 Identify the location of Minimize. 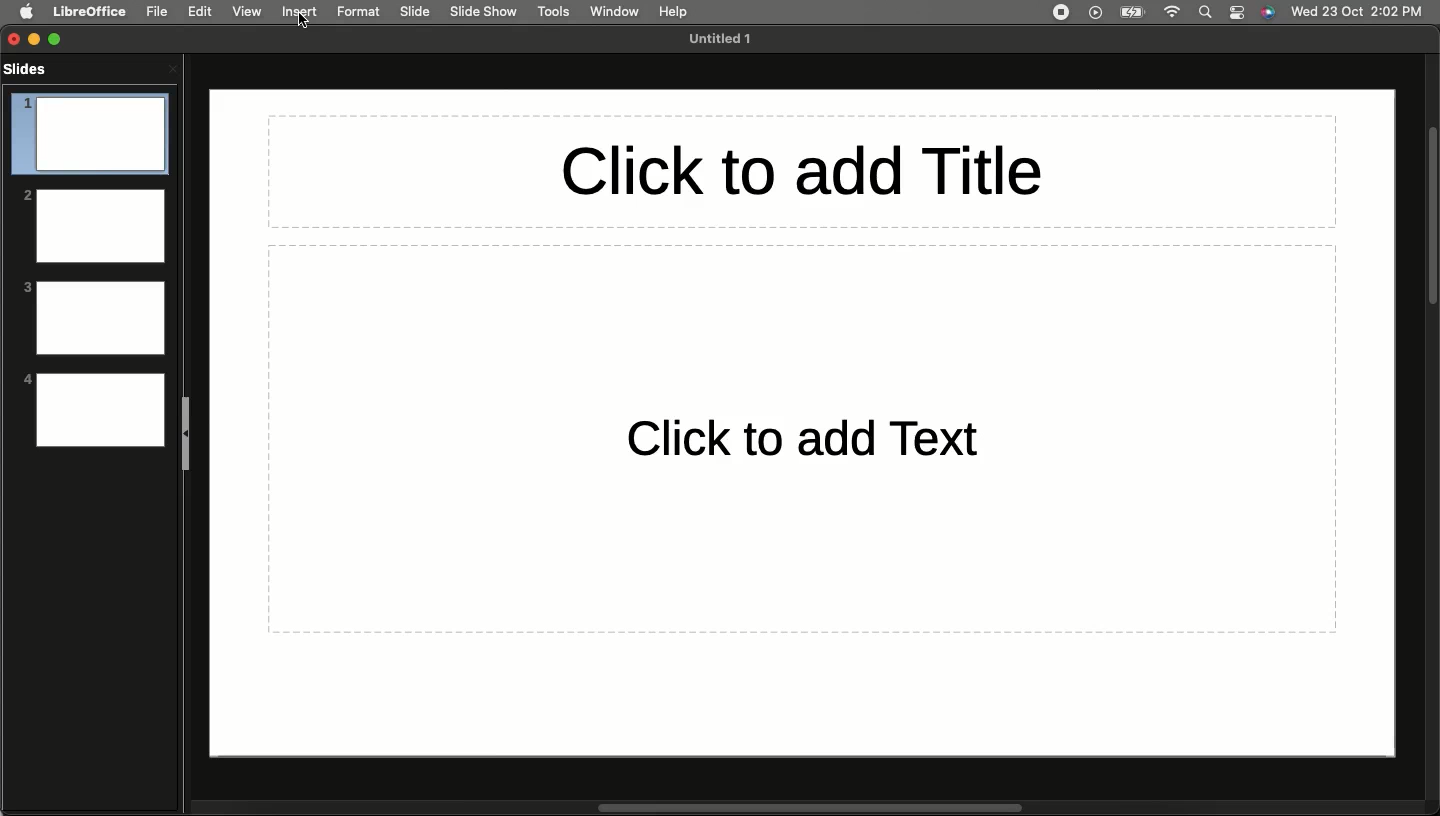
(39, 39).